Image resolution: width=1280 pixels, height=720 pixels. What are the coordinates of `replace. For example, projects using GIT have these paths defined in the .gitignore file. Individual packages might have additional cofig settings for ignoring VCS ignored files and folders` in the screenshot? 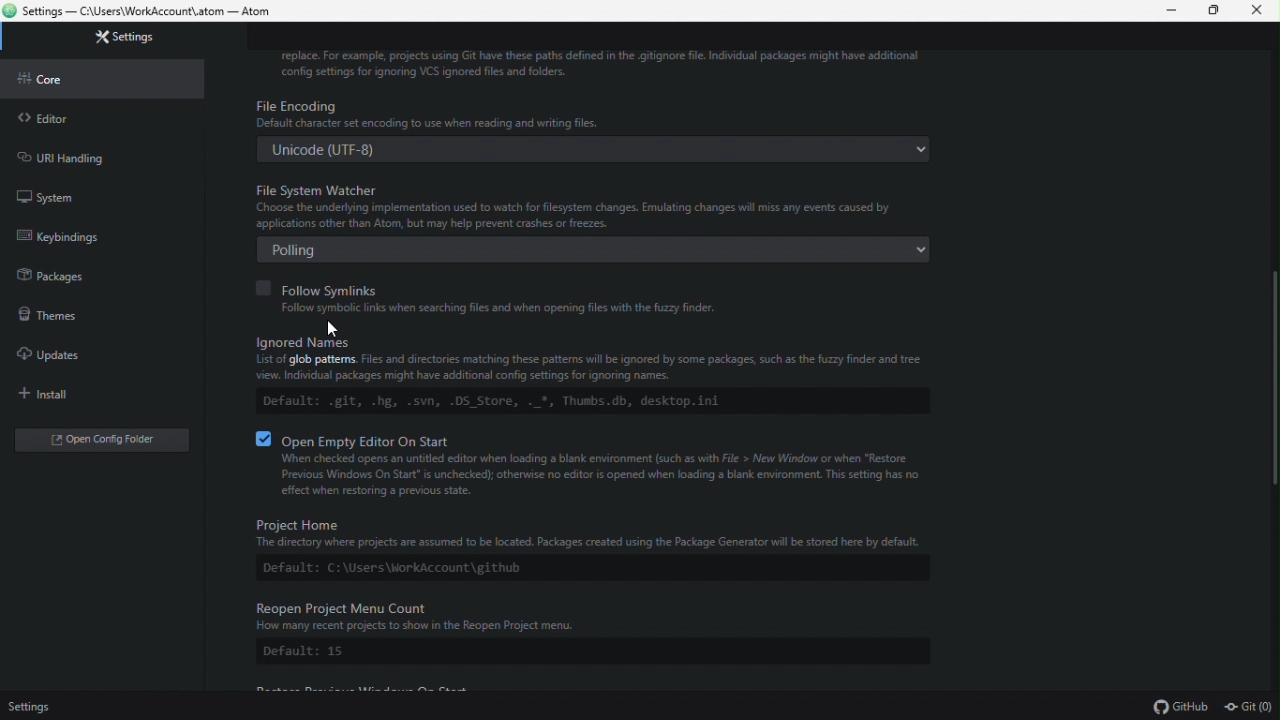 It's located at (600, 63).